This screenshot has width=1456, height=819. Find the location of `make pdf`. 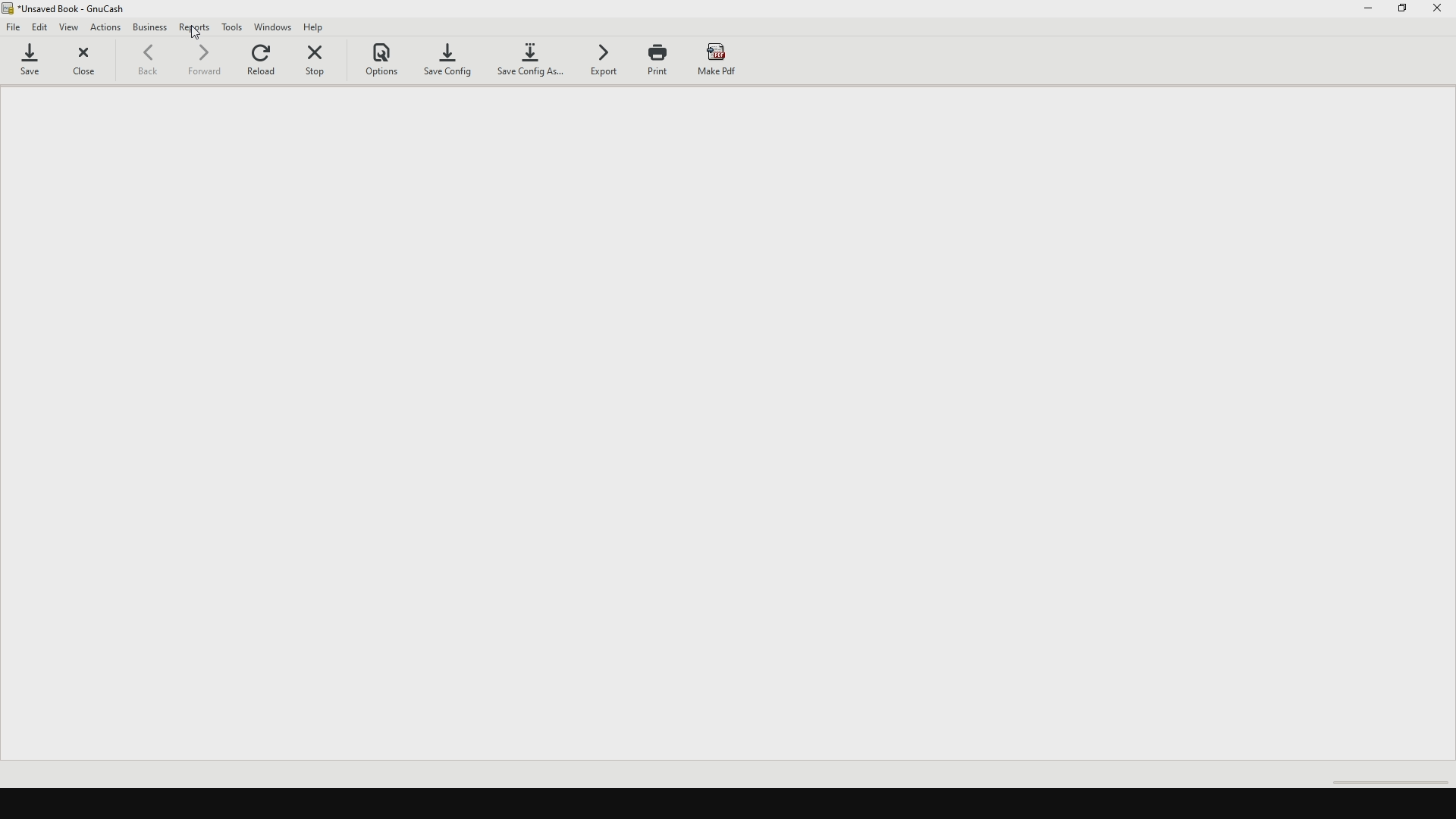

make pdf is located at coordinates (729, 62).